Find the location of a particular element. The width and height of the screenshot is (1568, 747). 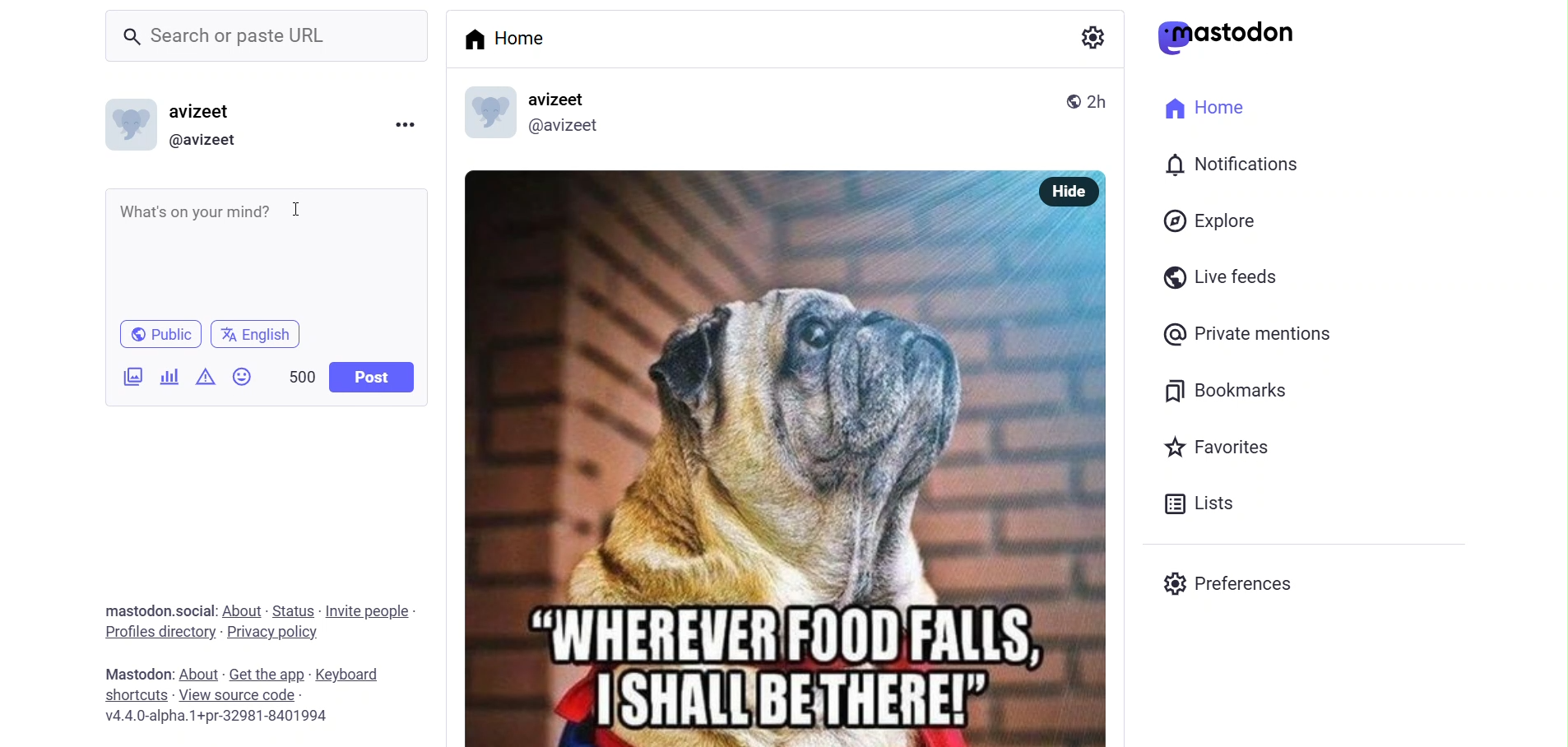

notification is located at coordinates (1233, 168).